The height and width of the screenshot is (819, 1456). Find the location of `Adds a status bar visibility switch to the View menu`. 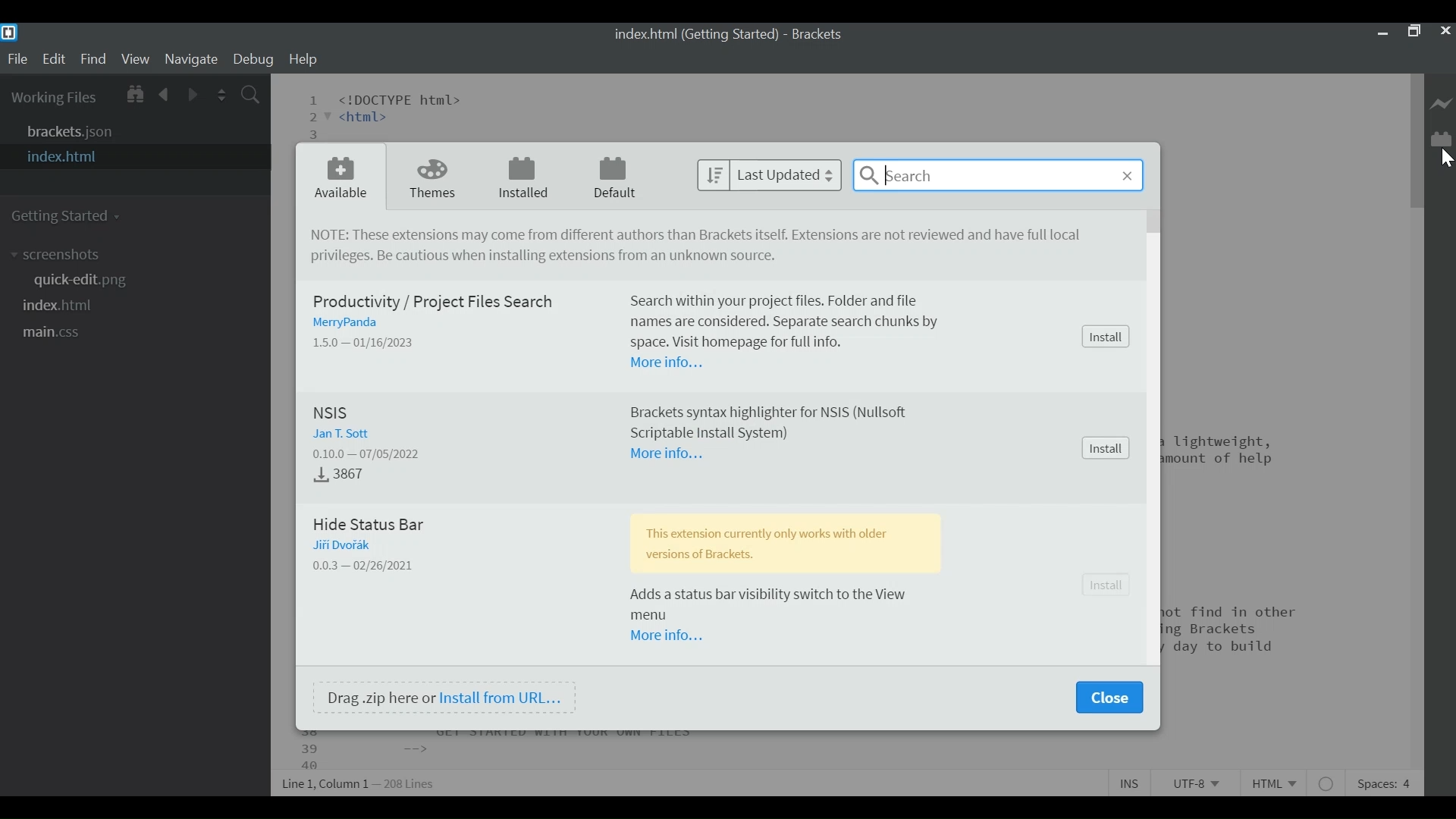

Adds a status bar visibility switch to the View menu is located at coordinates (786, 602).